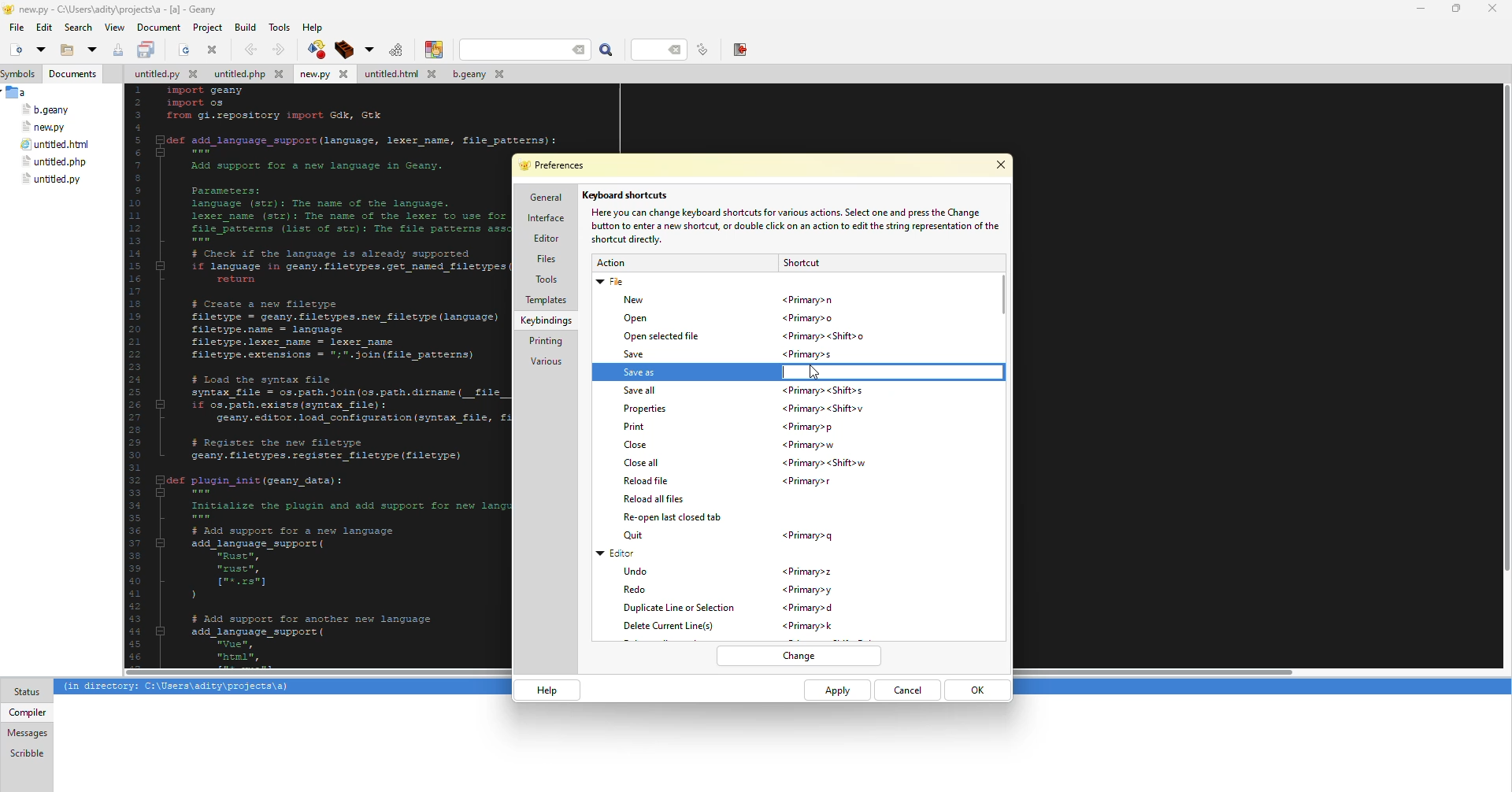 The image size is (1512, 792). I want to click on open, so click(63, 51).